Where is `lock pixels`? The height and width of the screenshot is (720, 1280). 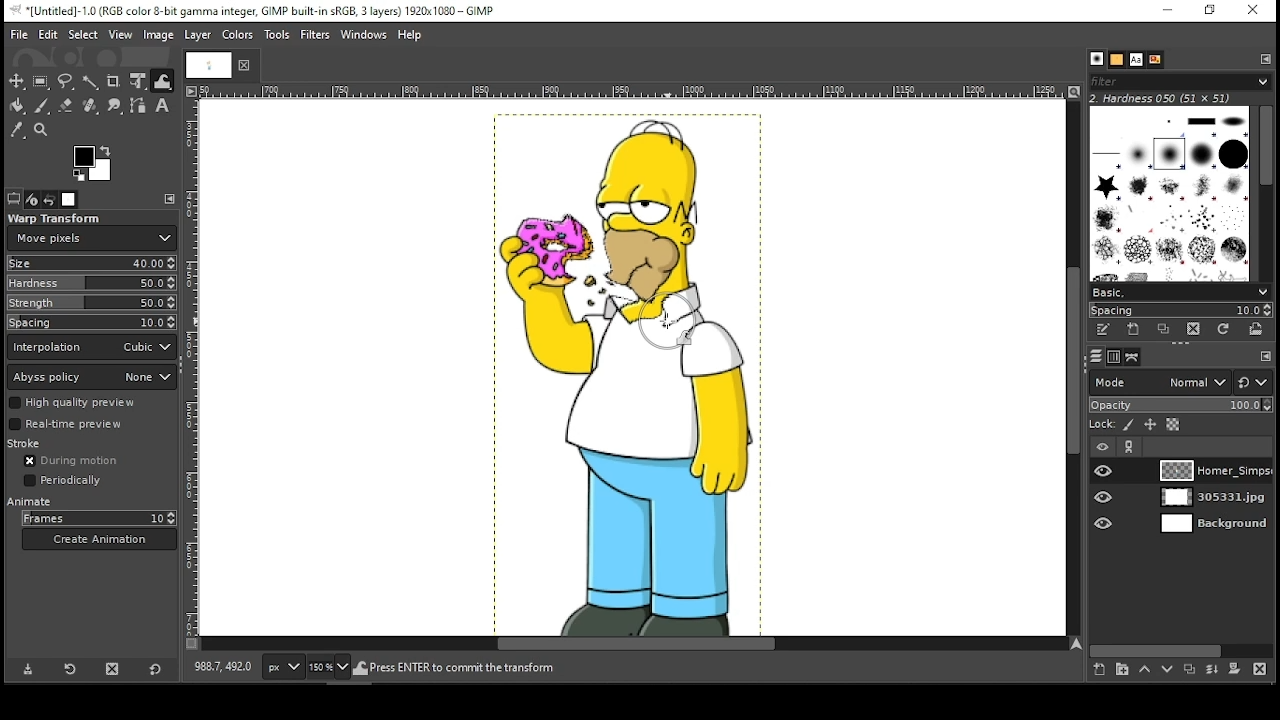 lock pixels is located at coordinates (1129, 425).